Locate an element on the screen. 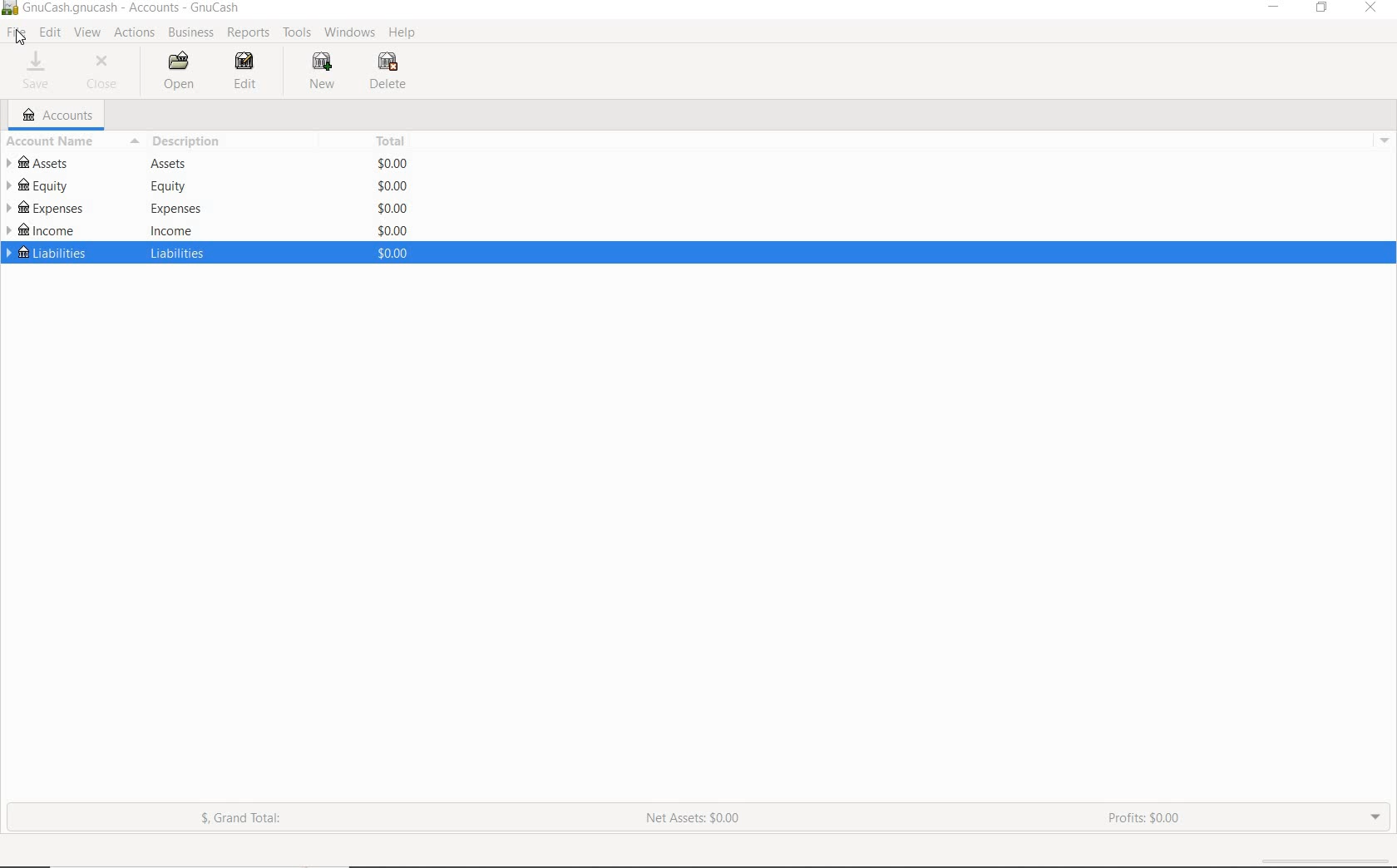 This screenshot has width=1397, height=868. DELETE is located at coordinates (388, 73).